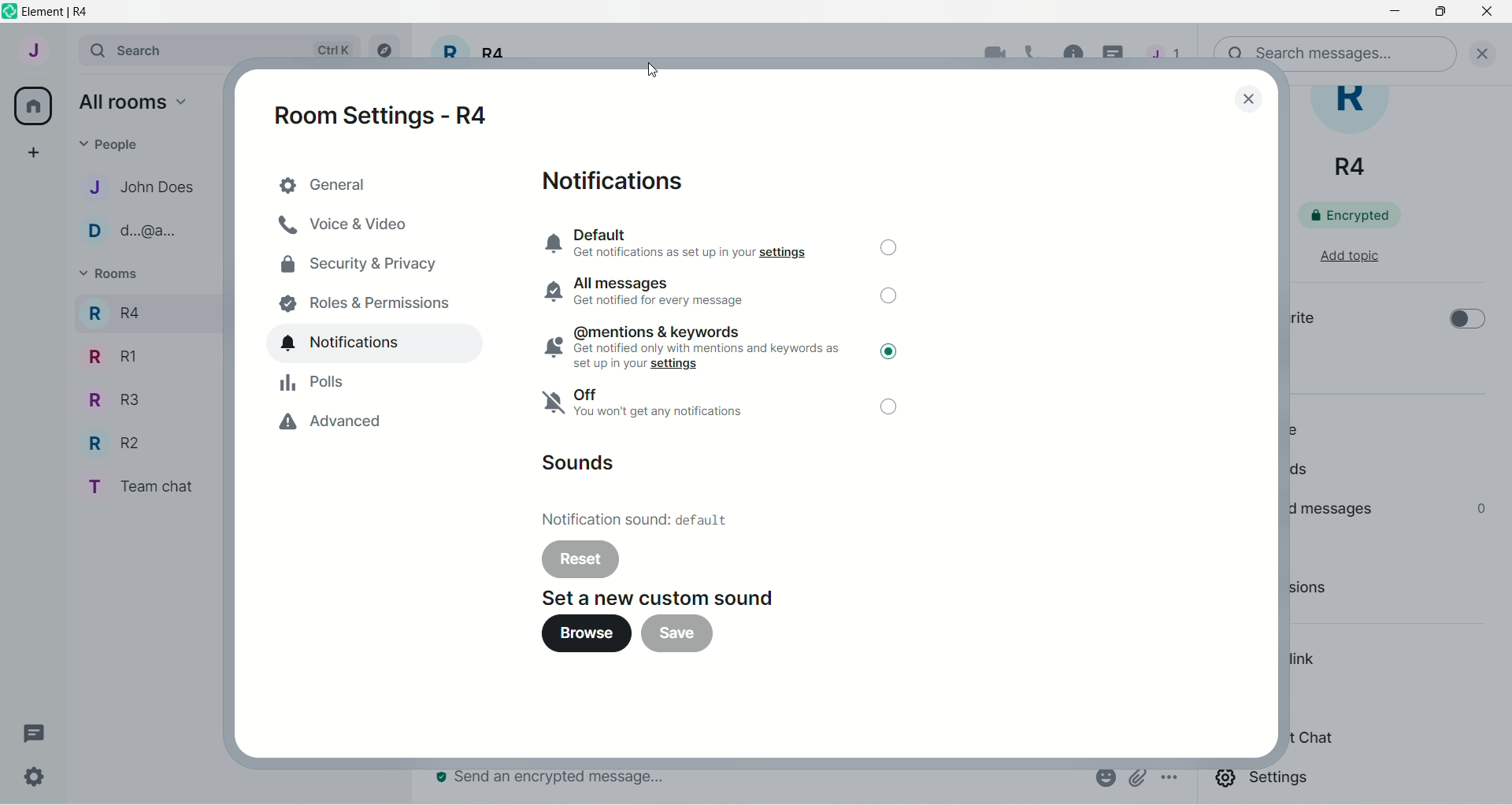 This screenshot has width=1512, height=805. Describe the element at coordinates (112, 276) in the screenshot. I see `rooms` at that location.